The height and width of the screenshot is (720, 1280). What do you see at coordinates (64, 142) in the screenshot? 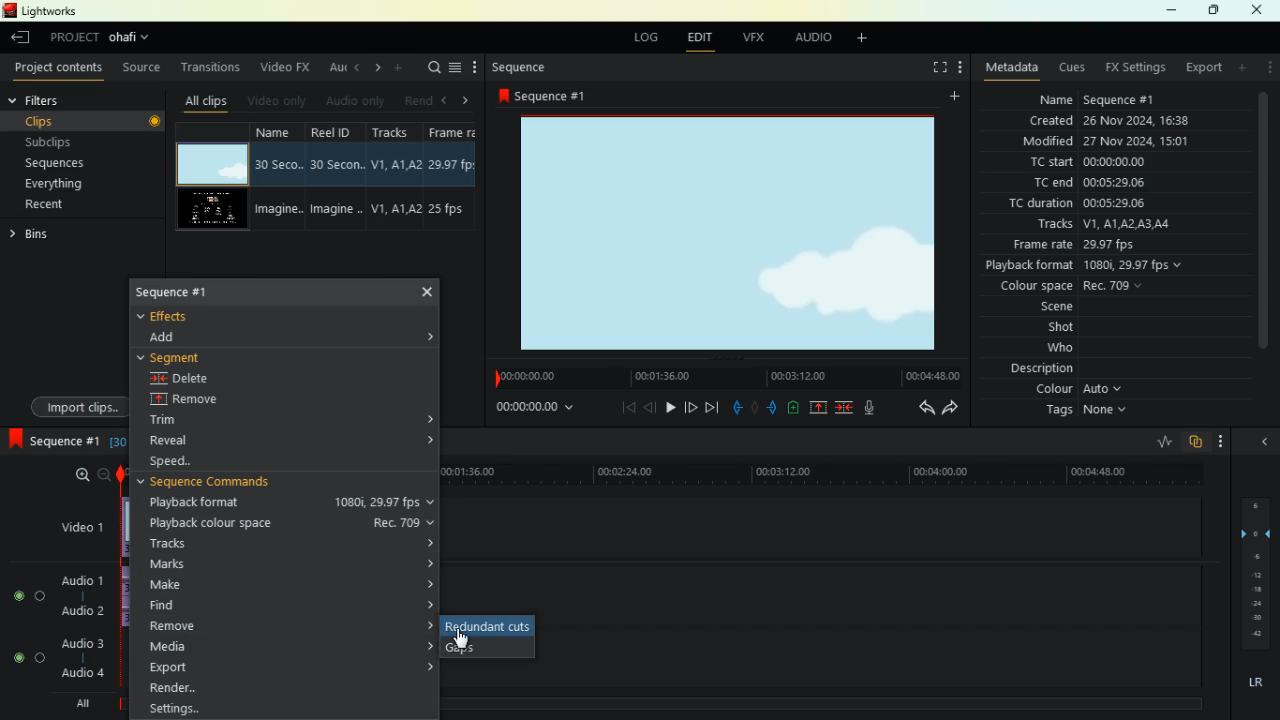
I see `subclips` at bounding box center [64, 142].